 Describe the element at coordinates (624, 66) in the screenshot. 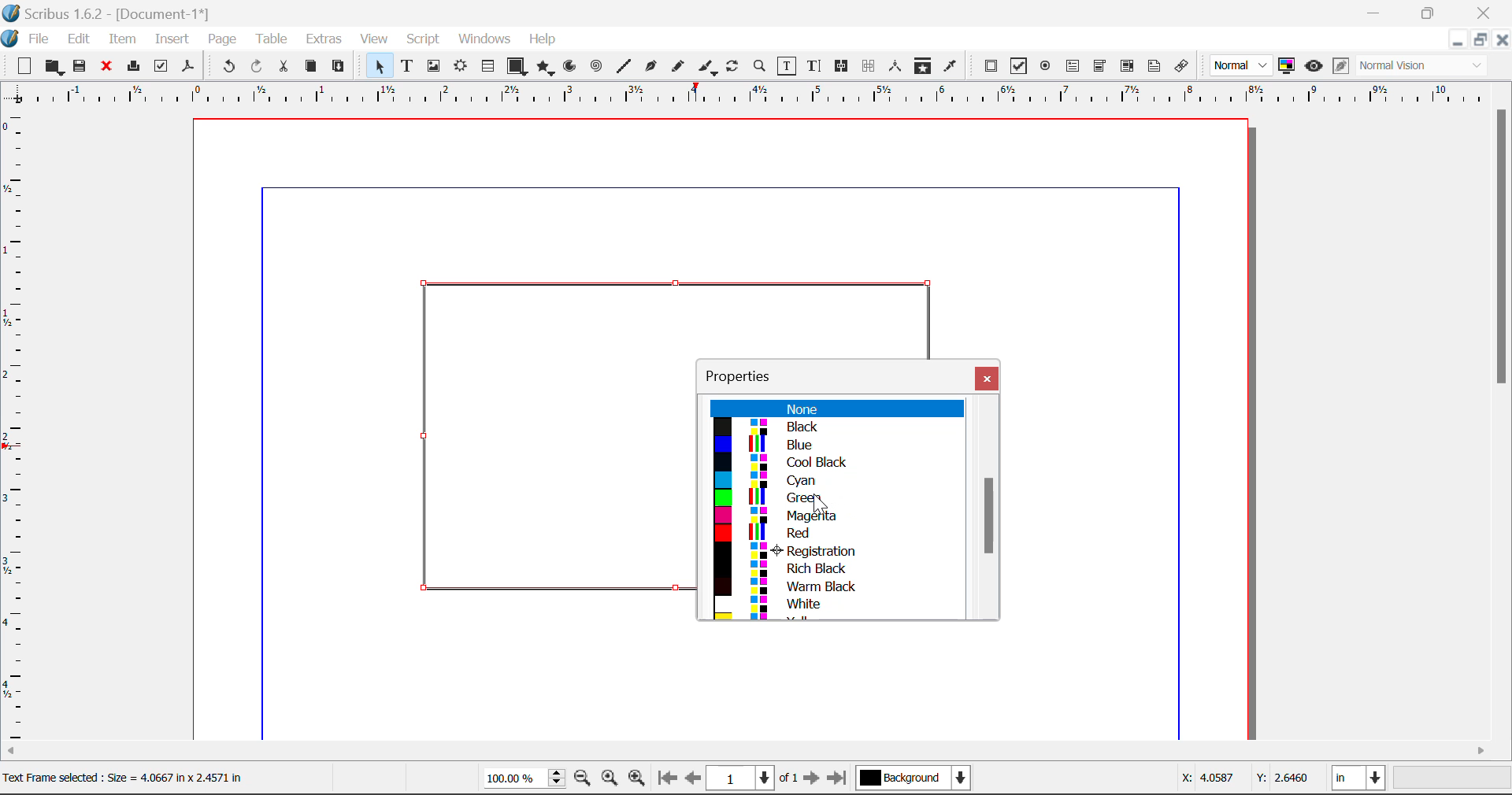

I see `Line` at that location.